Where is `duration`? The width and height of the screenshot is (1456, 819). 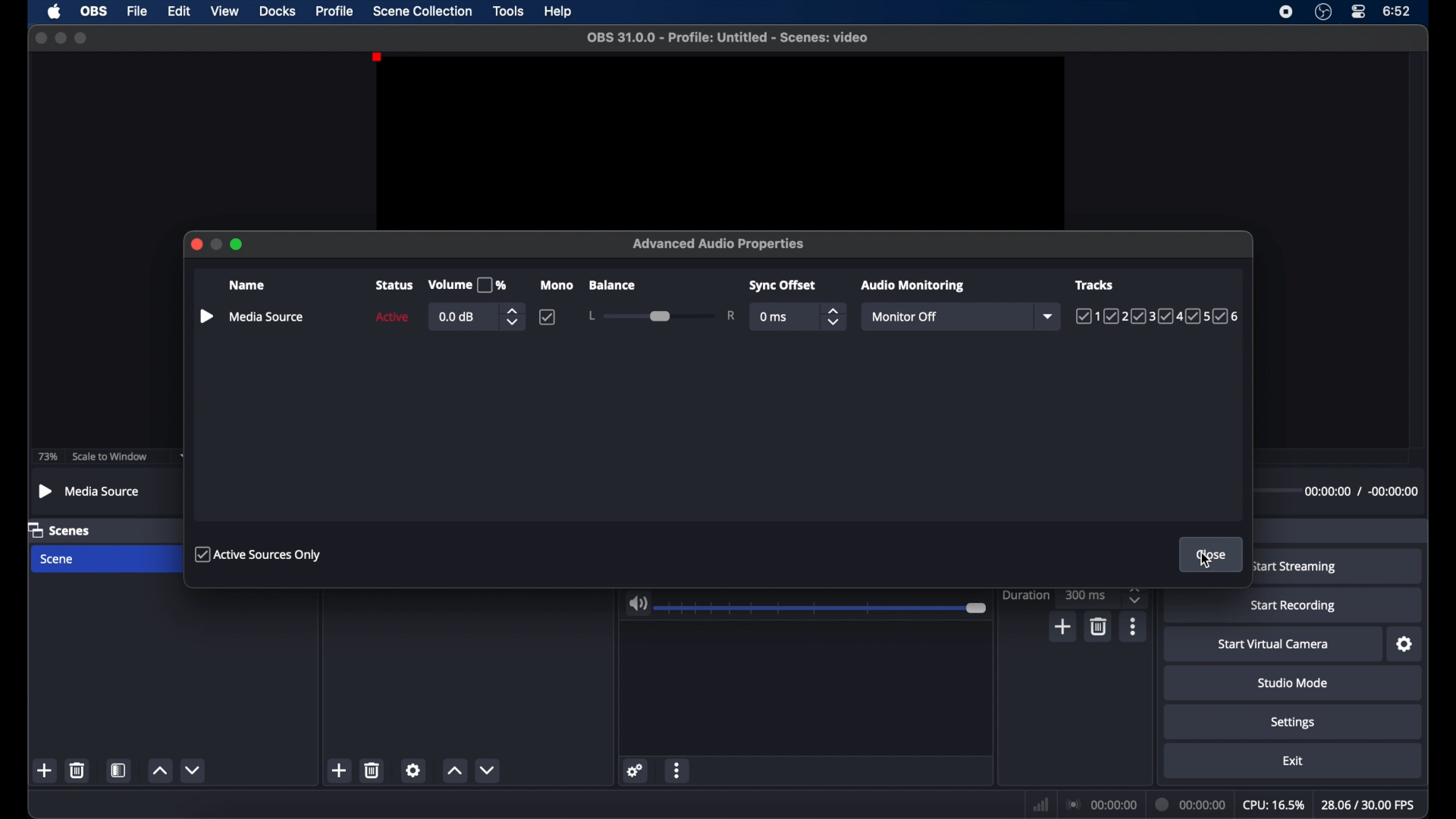
duration is located at coordinates (1025, 595).